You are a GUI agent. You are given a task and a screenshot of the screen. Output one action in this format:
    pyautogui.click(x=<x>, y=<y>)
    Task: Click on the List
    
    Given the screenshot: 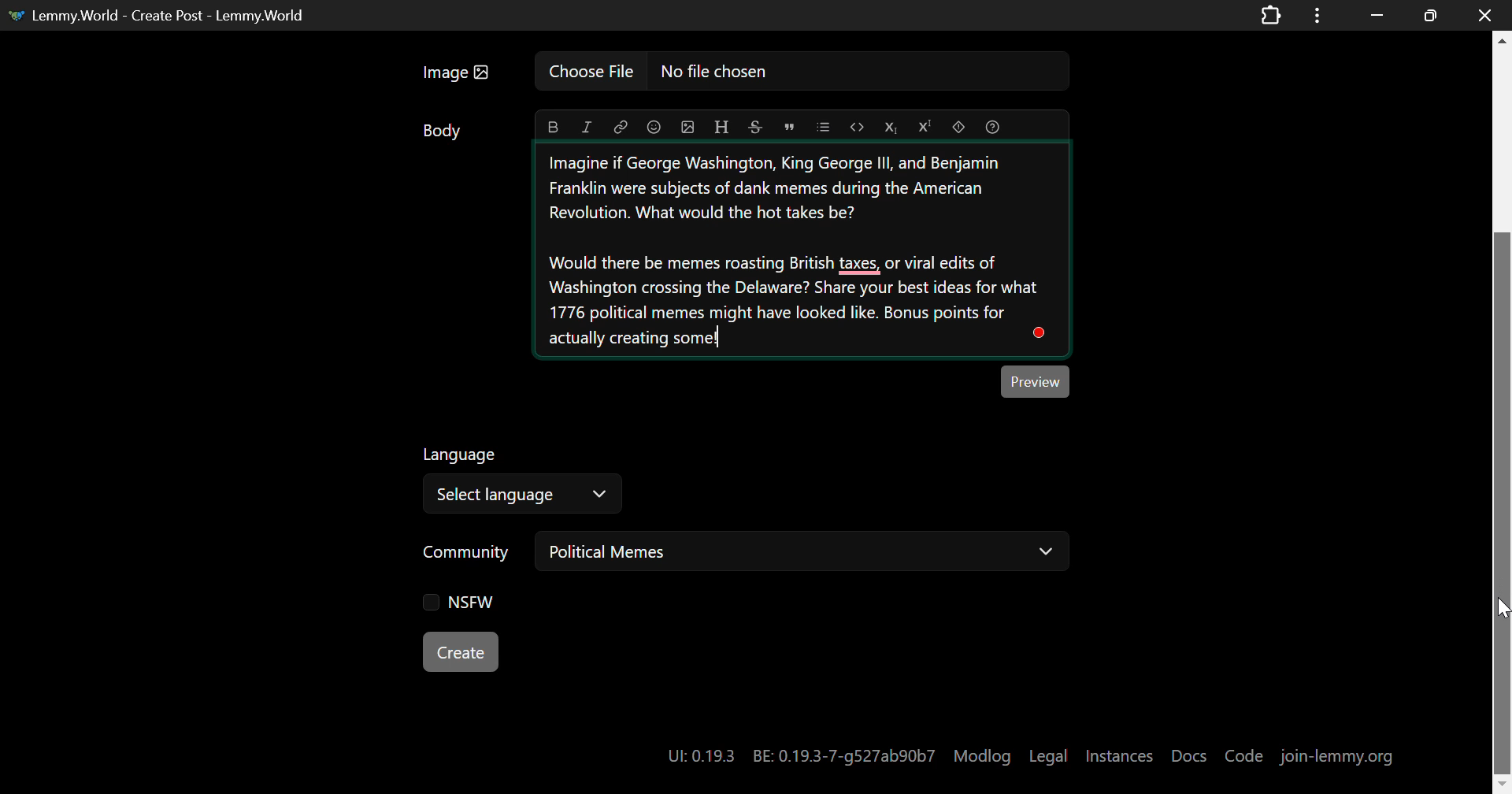 What is the action you would take?
    pyautogui.click(x=823, y=127)
    